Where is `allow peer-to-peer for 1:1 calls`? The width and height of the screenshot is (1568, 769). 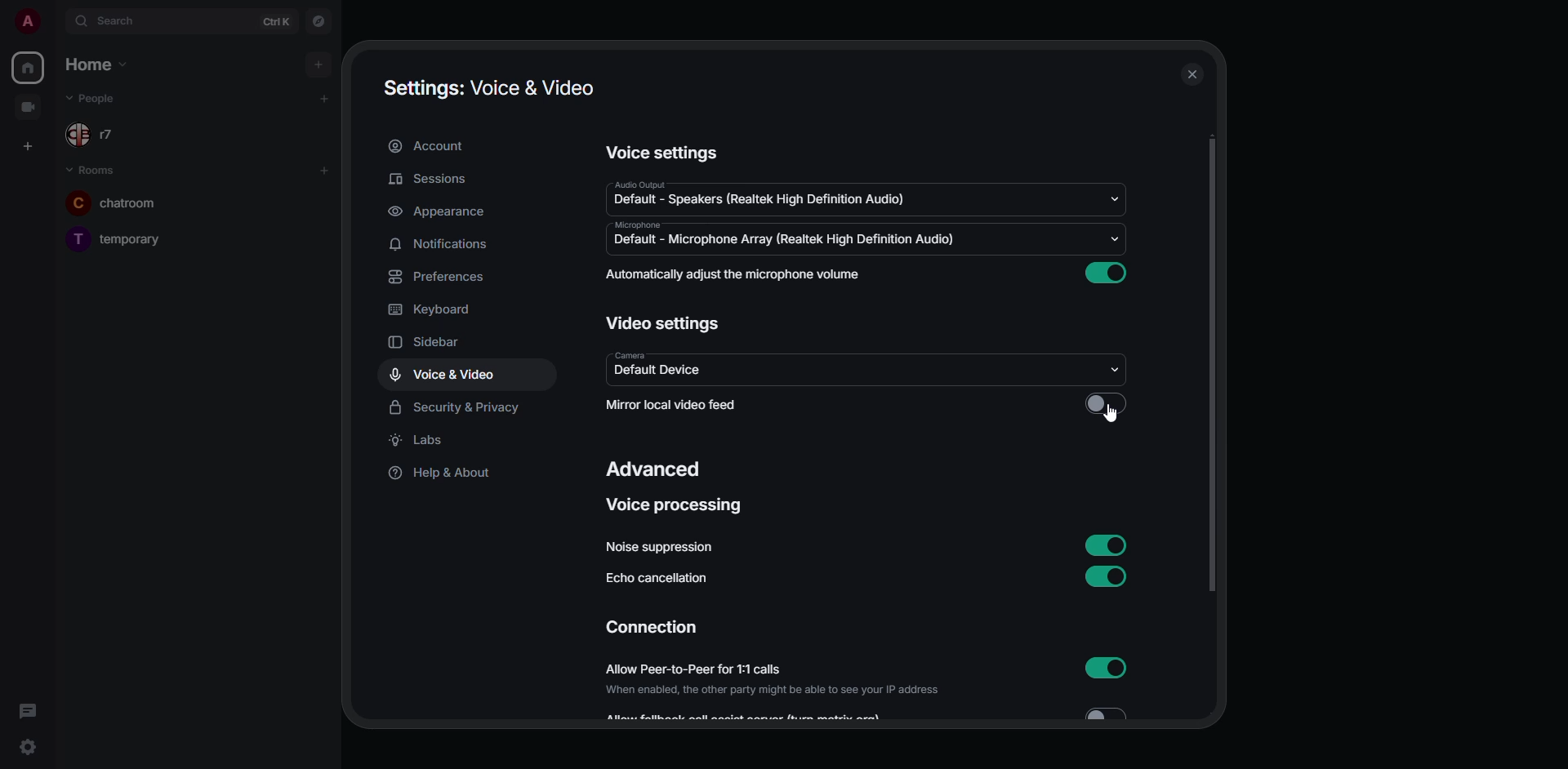 allow peer-to-peer for 1:1 calls is located at coordinates (775, 679).